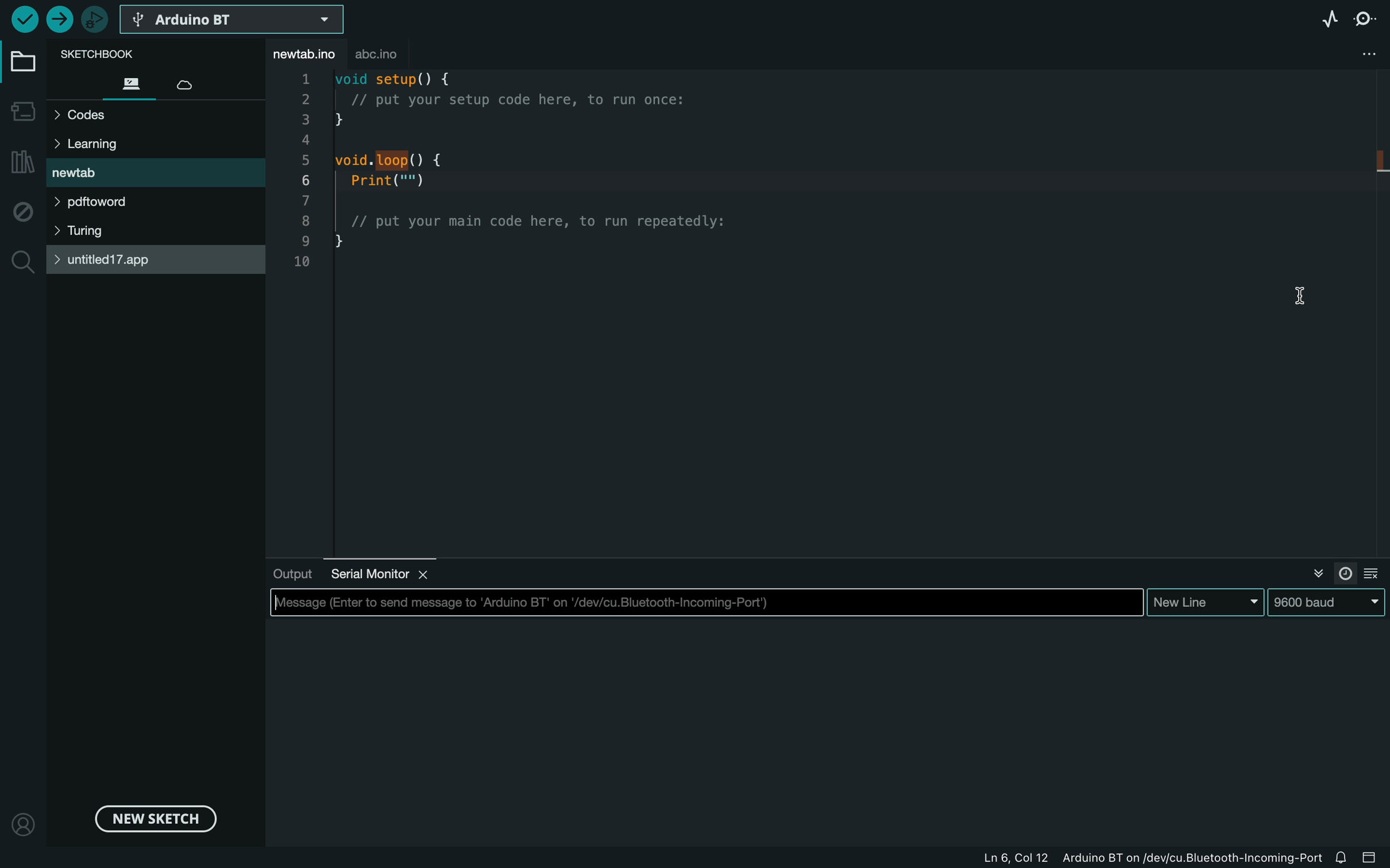 Image resolution: width=1390 pixels, height=868 pixels. Describe the element at coordinates (706, 606) in the screenshot. I see `enter message` at that location.